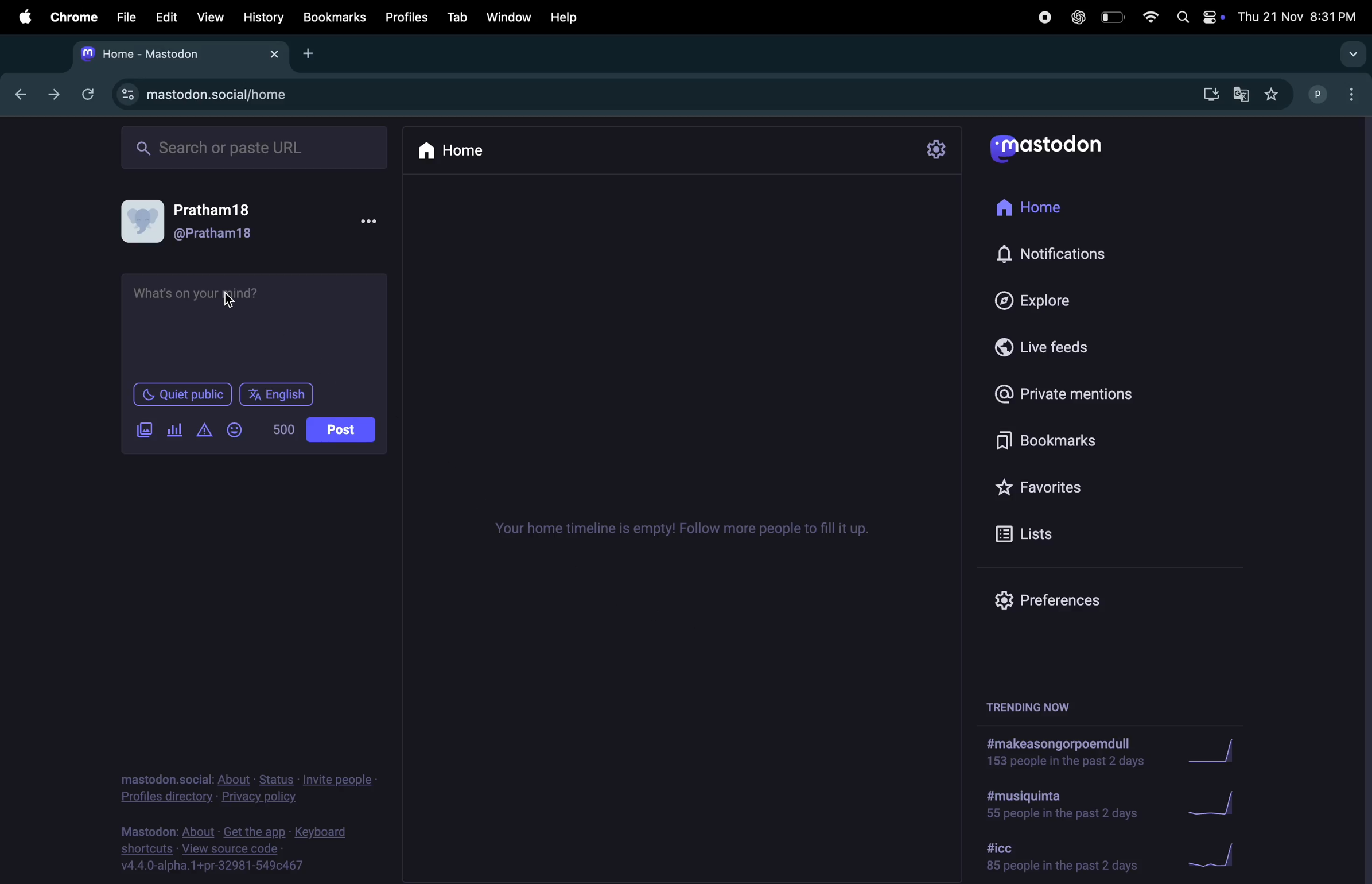  Describe the element at coordinates (174, 429) in the screenshot. I see `add poll` at that location.